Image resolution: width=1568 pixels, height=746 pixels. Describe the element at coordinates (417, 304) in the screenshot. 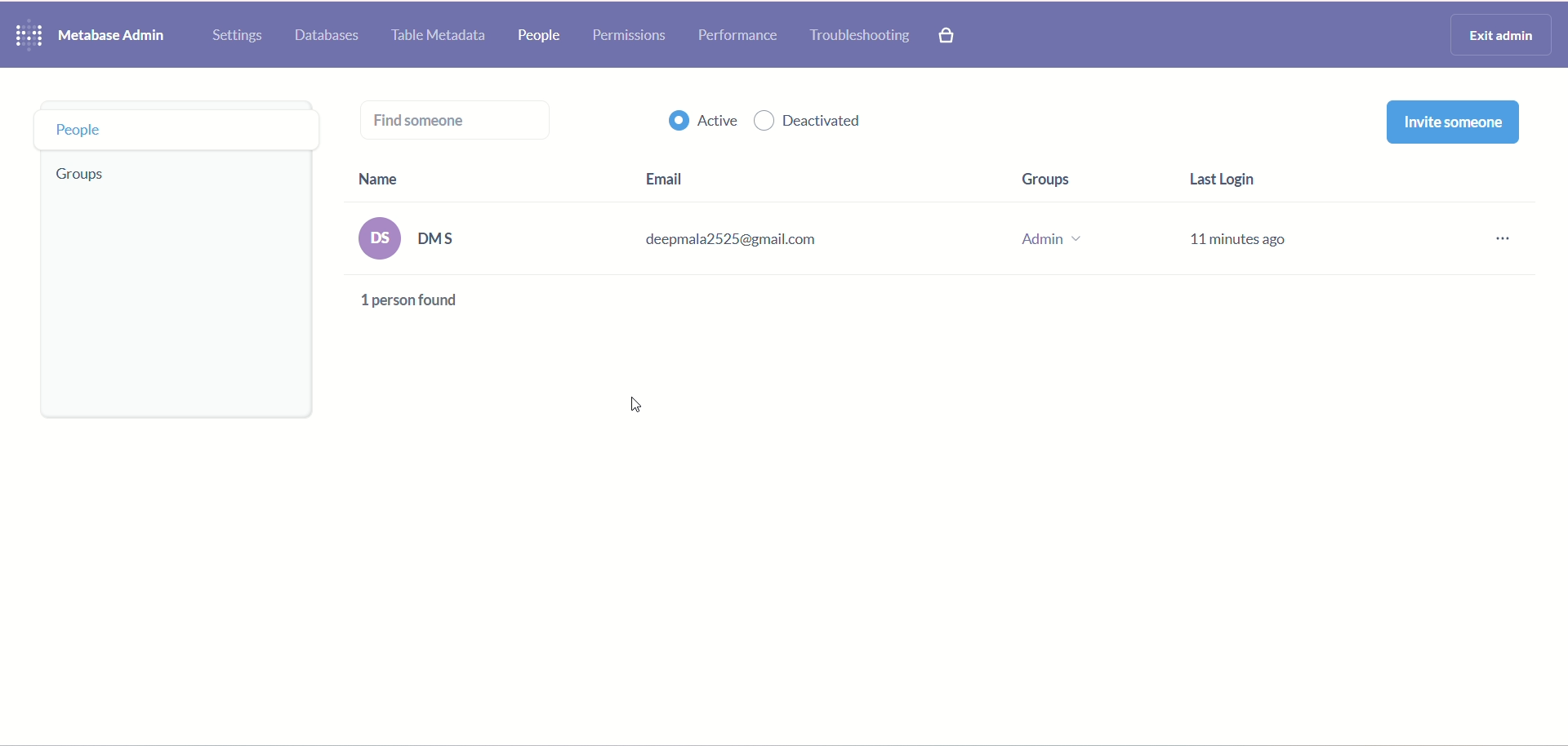

I see `text` at that location.